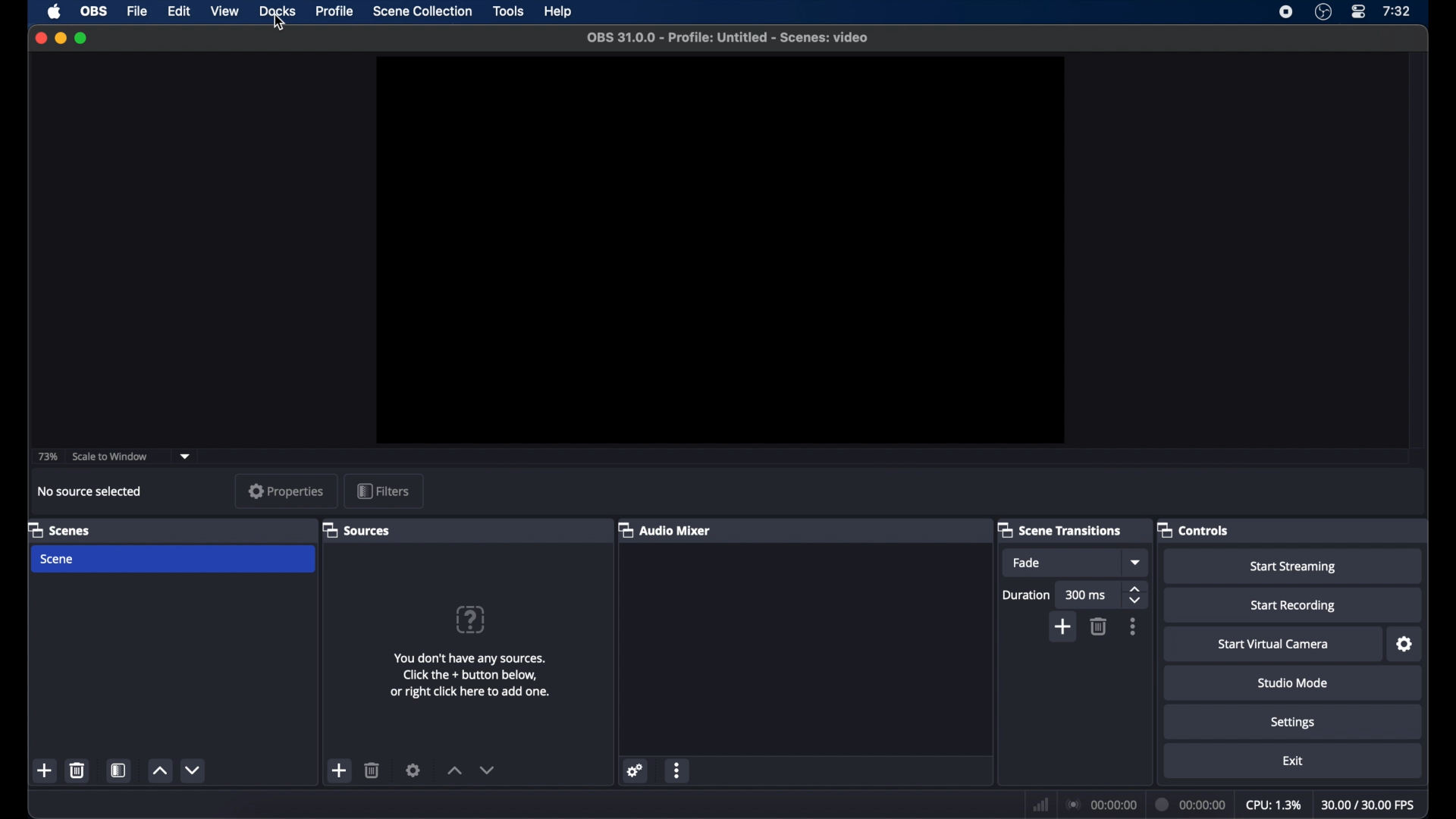 The height and width of the screenshot is (819, 1456). What do you see at coordinates (1293, 566) in the screenshot?
I see `start streaming` at bounding box center [1293, 566].